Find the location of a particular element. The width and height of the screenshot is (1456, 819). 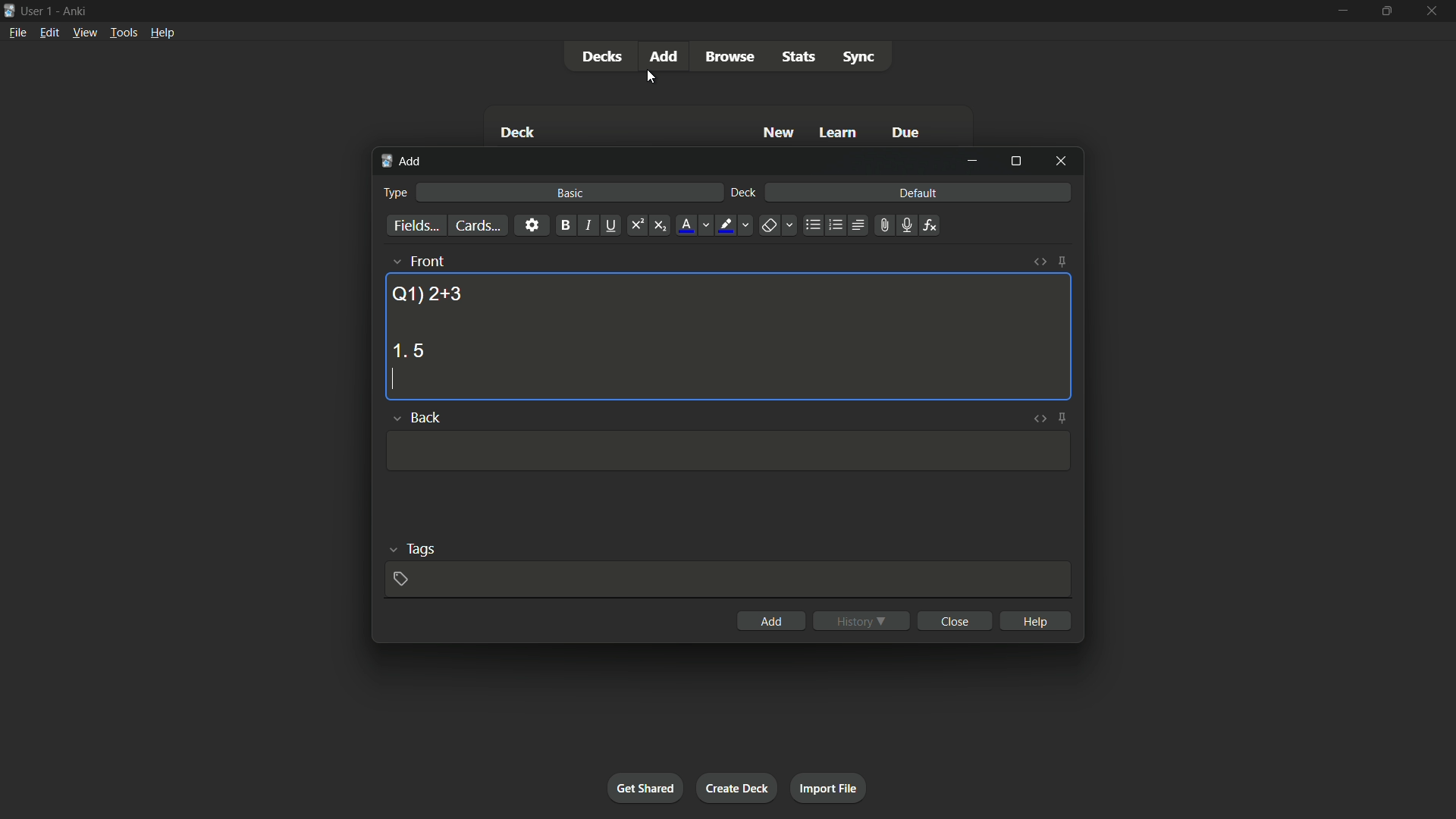

ordered list is located at coordinates (836, 225).